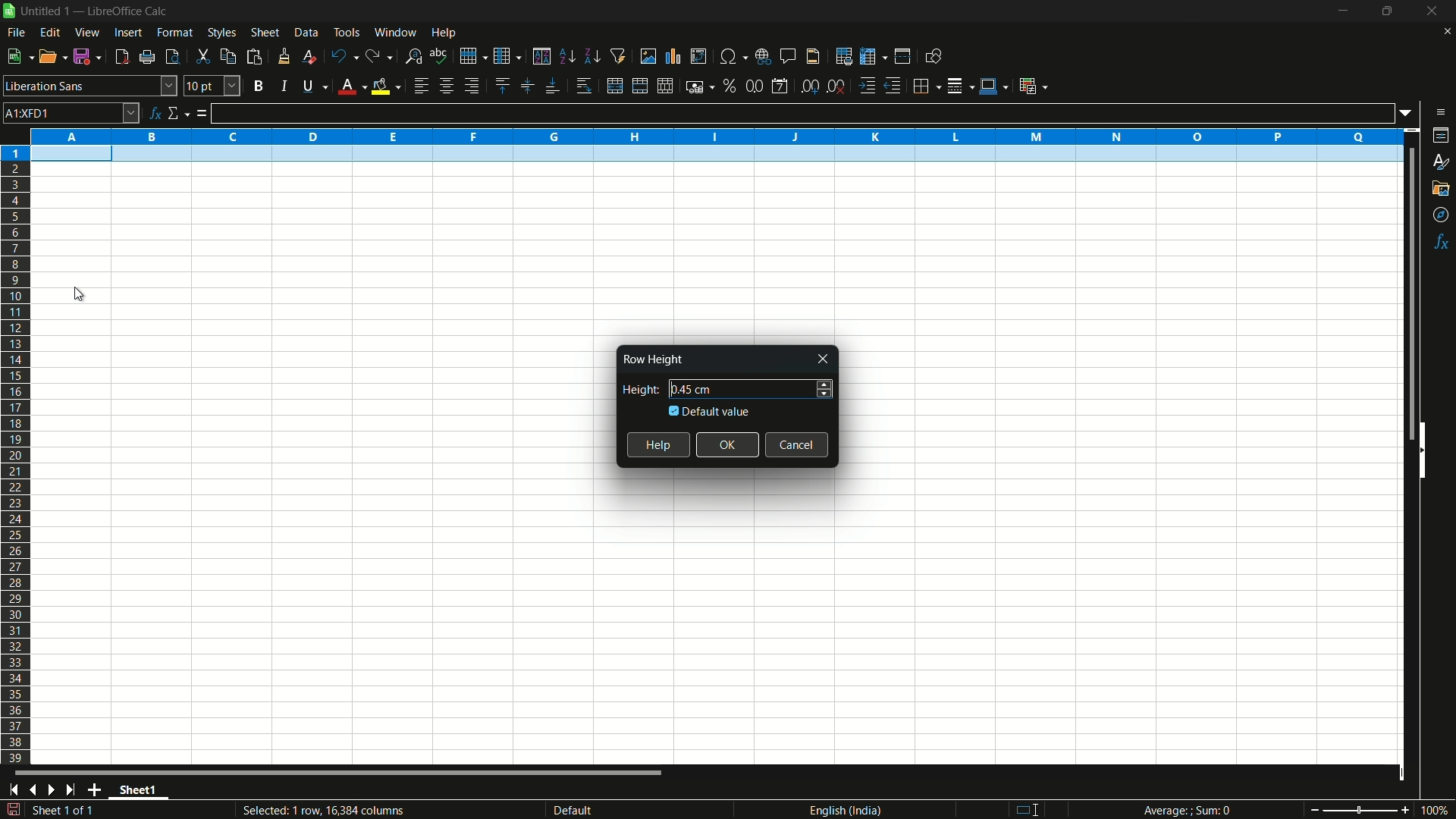 This screenshot has height=819, width=1456. I want to click on file menu, so click(16, 33).